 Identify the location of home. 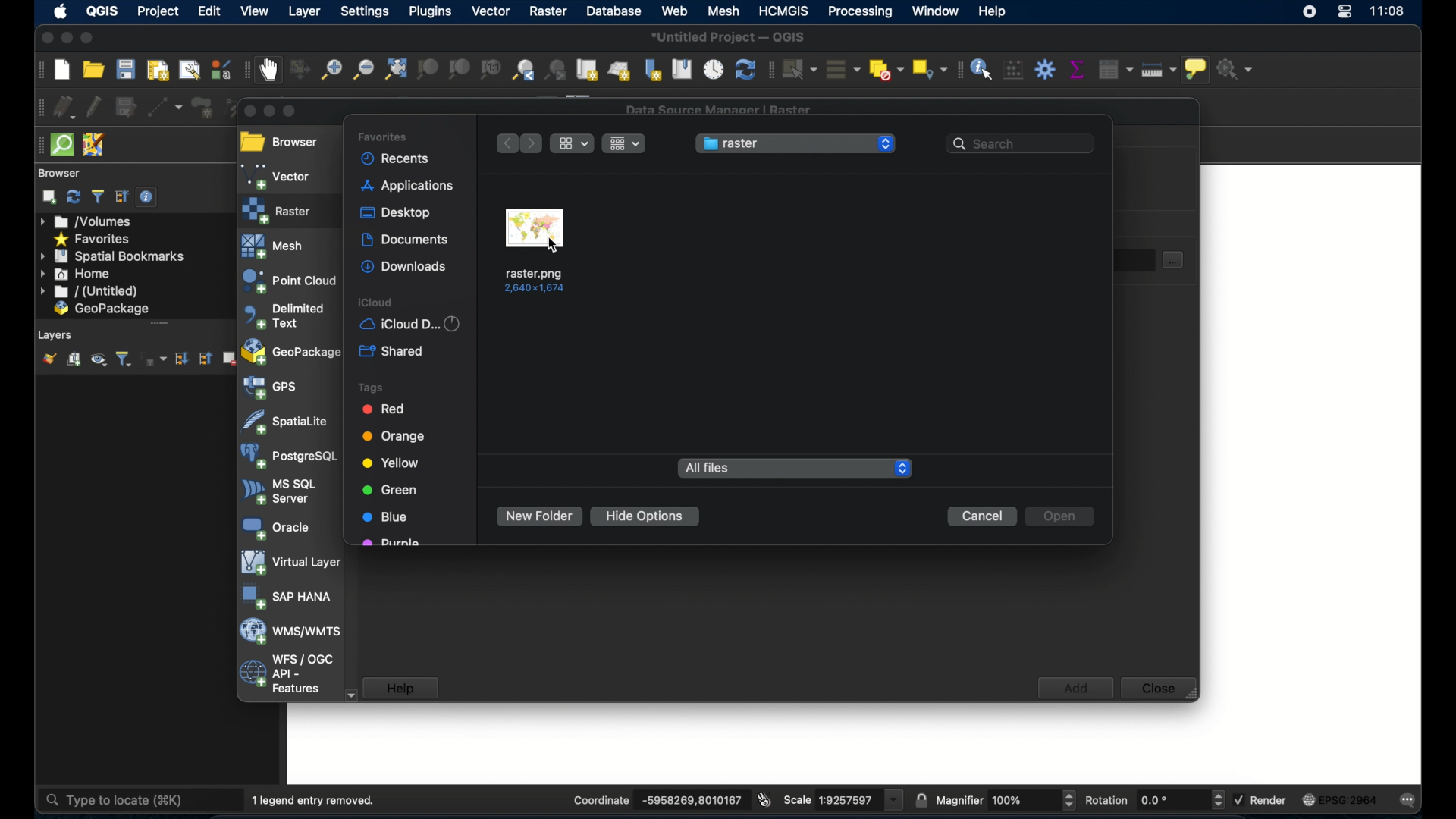
(77, 274).